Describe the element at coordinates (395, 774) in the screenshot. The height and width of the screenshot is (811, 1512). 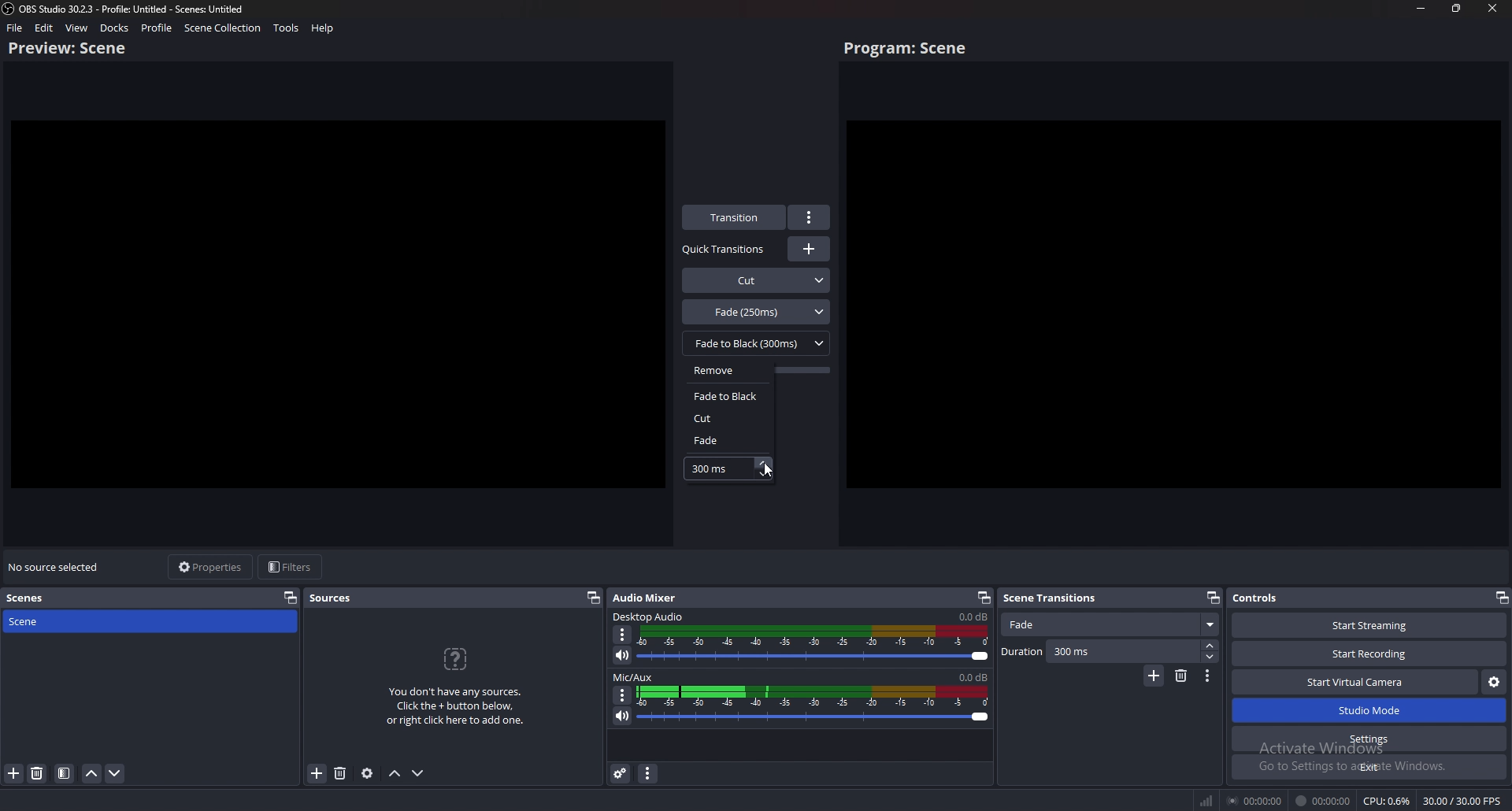
I see `Move sources up` at that location.